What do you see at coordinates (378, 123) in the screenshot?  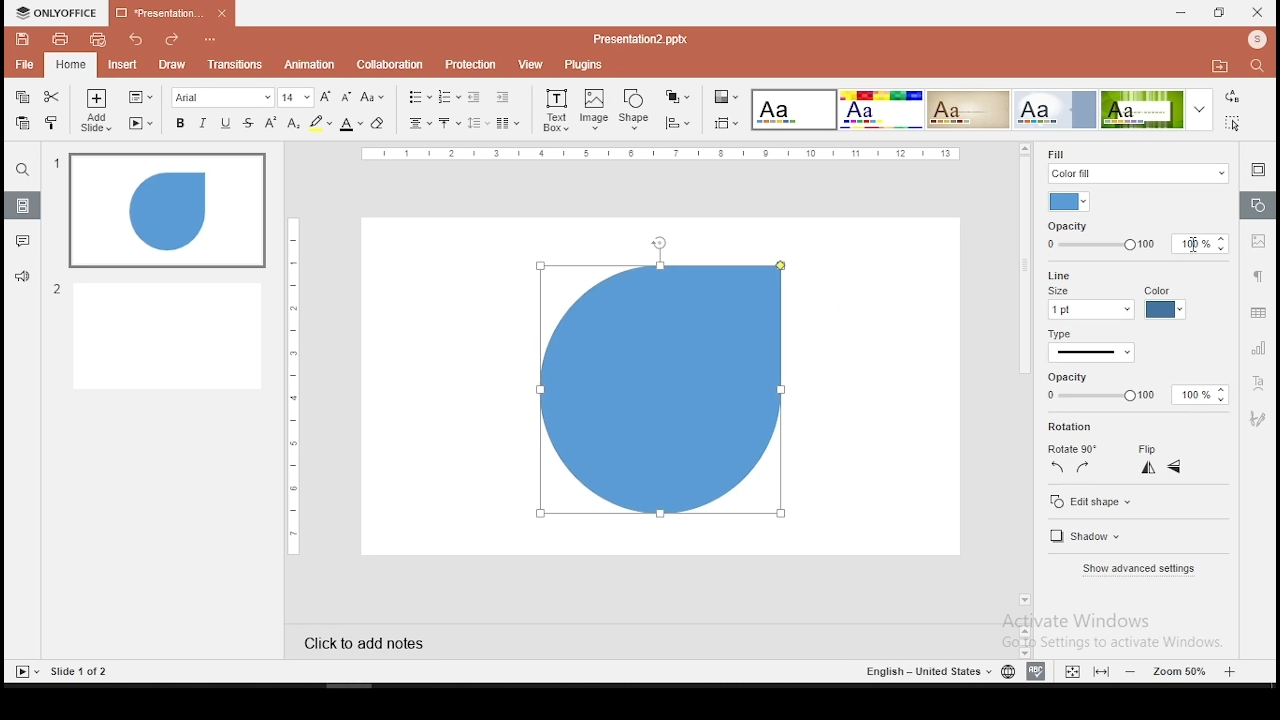 I see `eraser tool` at bounding box center [378, 123].